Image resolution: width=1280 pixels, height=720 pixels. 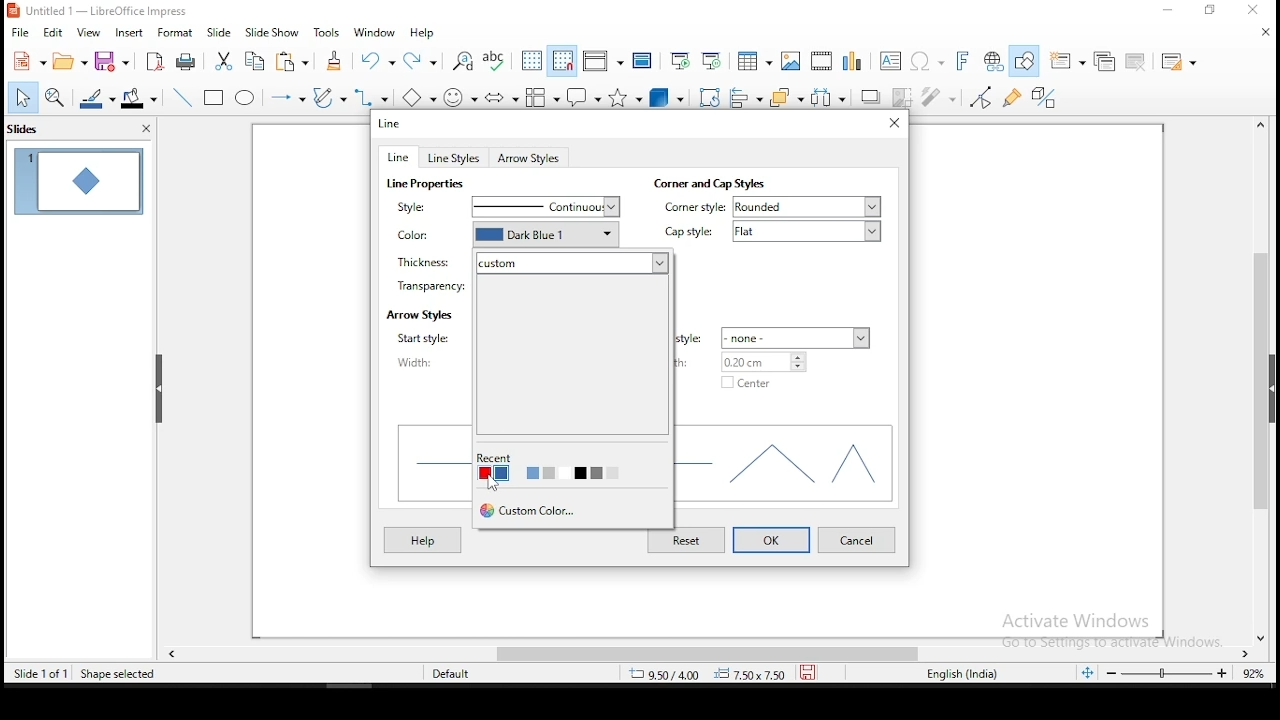 What do you see at coordinates (563, 60) in the screenshot?
I see `snap to grid` at bounding box center [563, 60].